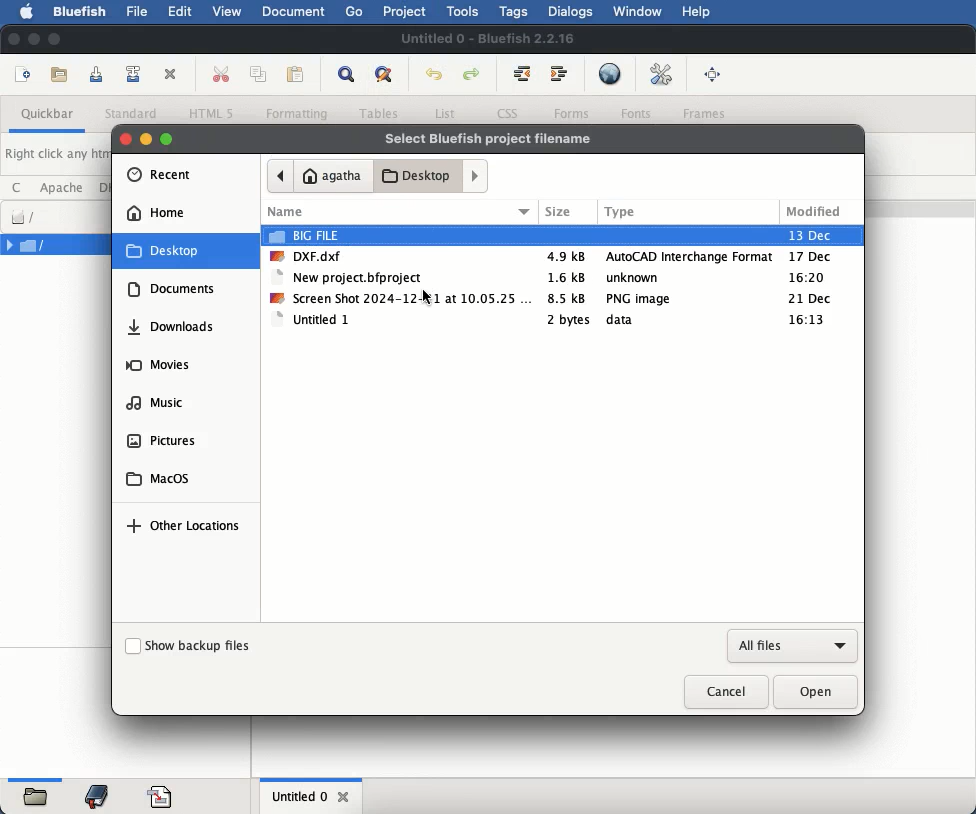 The image size is (976, 814). I want to click on agatha home, so click(331, 178).